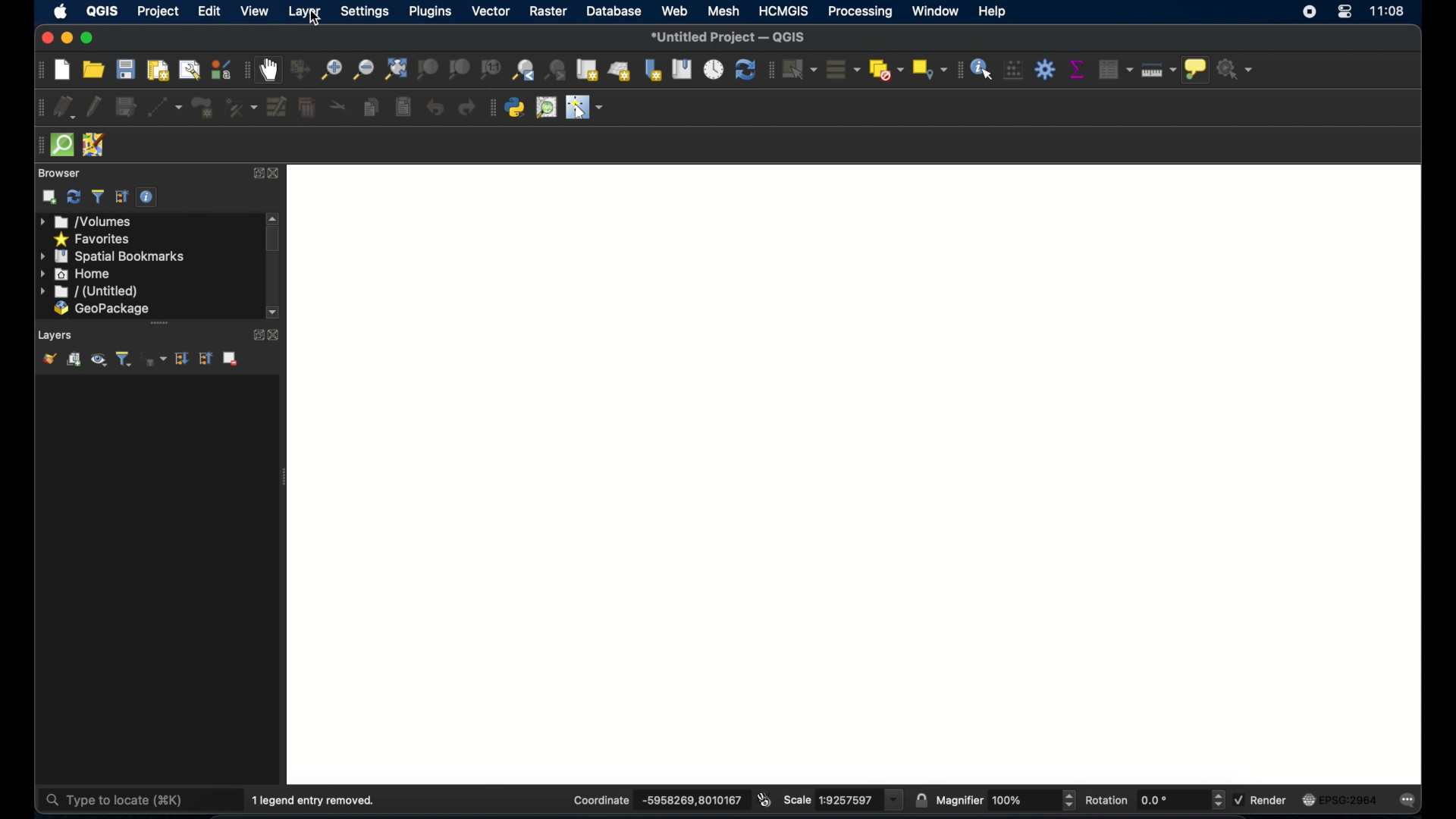  I want to click on scale, so click(798, 800).